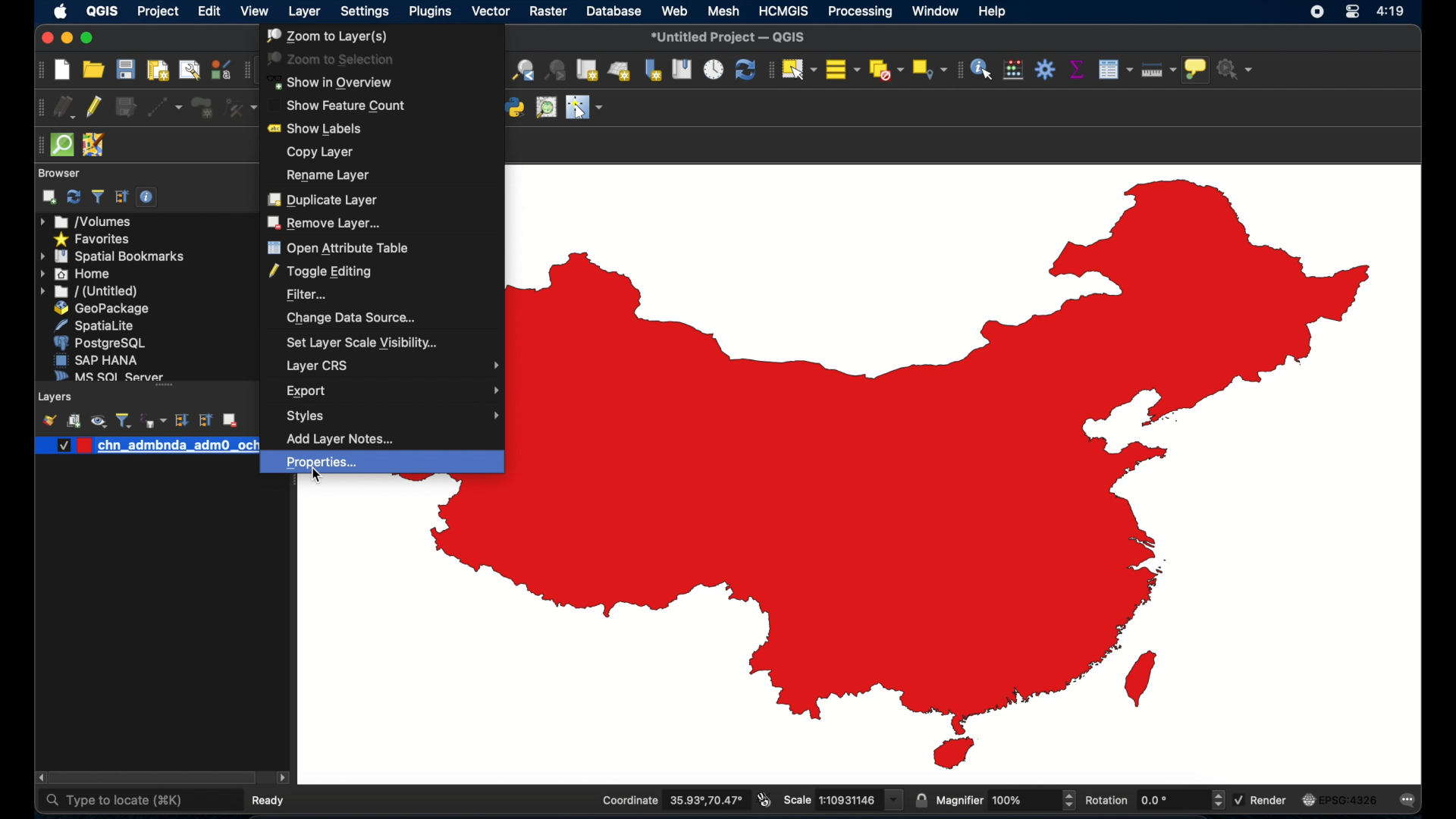 The width and height of the screenshot is (1456, 819). Describe the element at coordinates (306, 13) in the screenshot. I see `layer` at that location.